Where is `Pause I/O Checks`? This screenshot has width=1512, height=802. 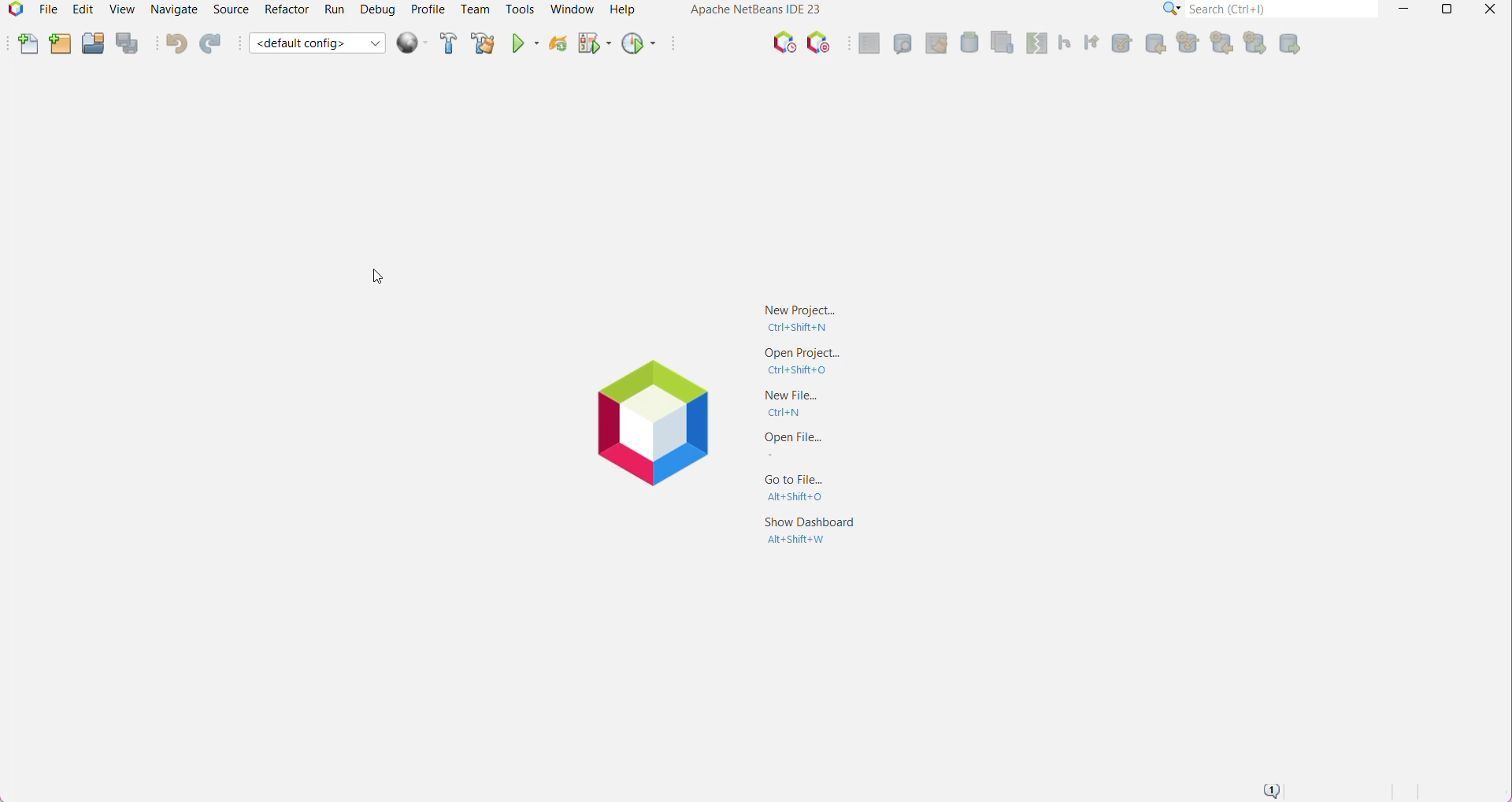 Pause I/O Checks is located at coordinates (817, 43).